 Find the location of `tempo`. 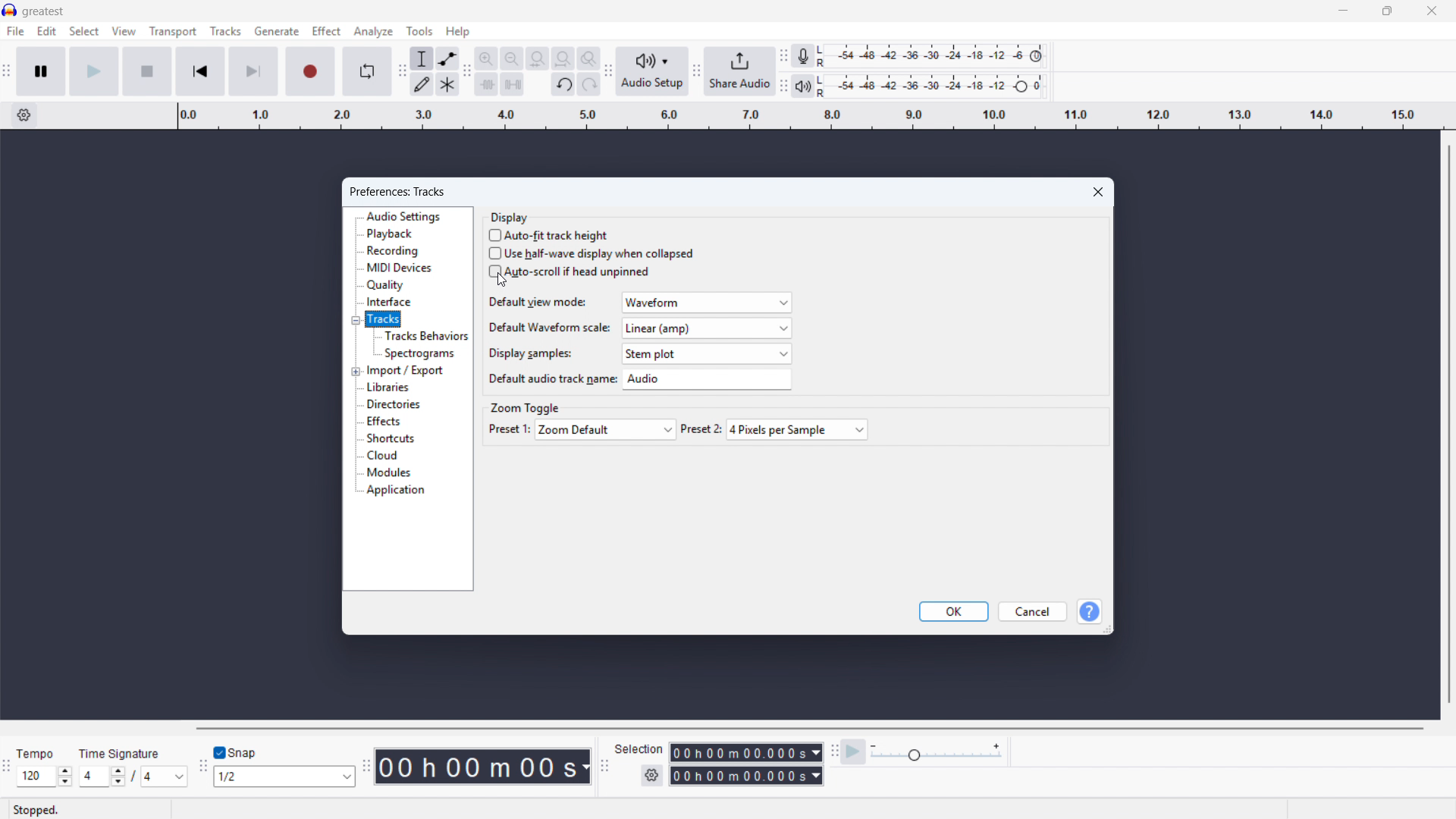

tempo is located at coordinates (36, 754).